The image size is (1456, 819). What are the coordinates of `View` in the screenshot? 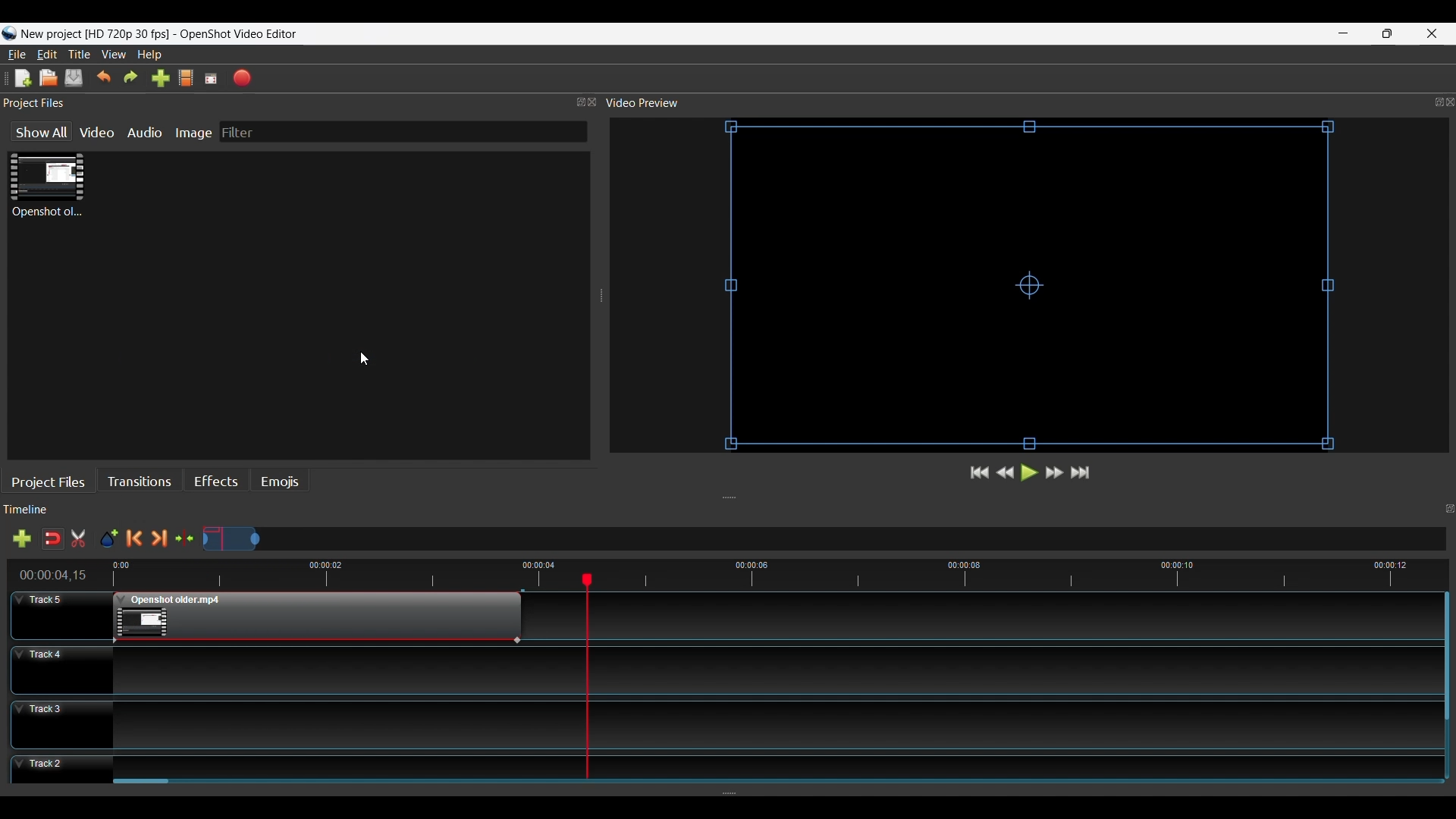 It's located at (115, 55).